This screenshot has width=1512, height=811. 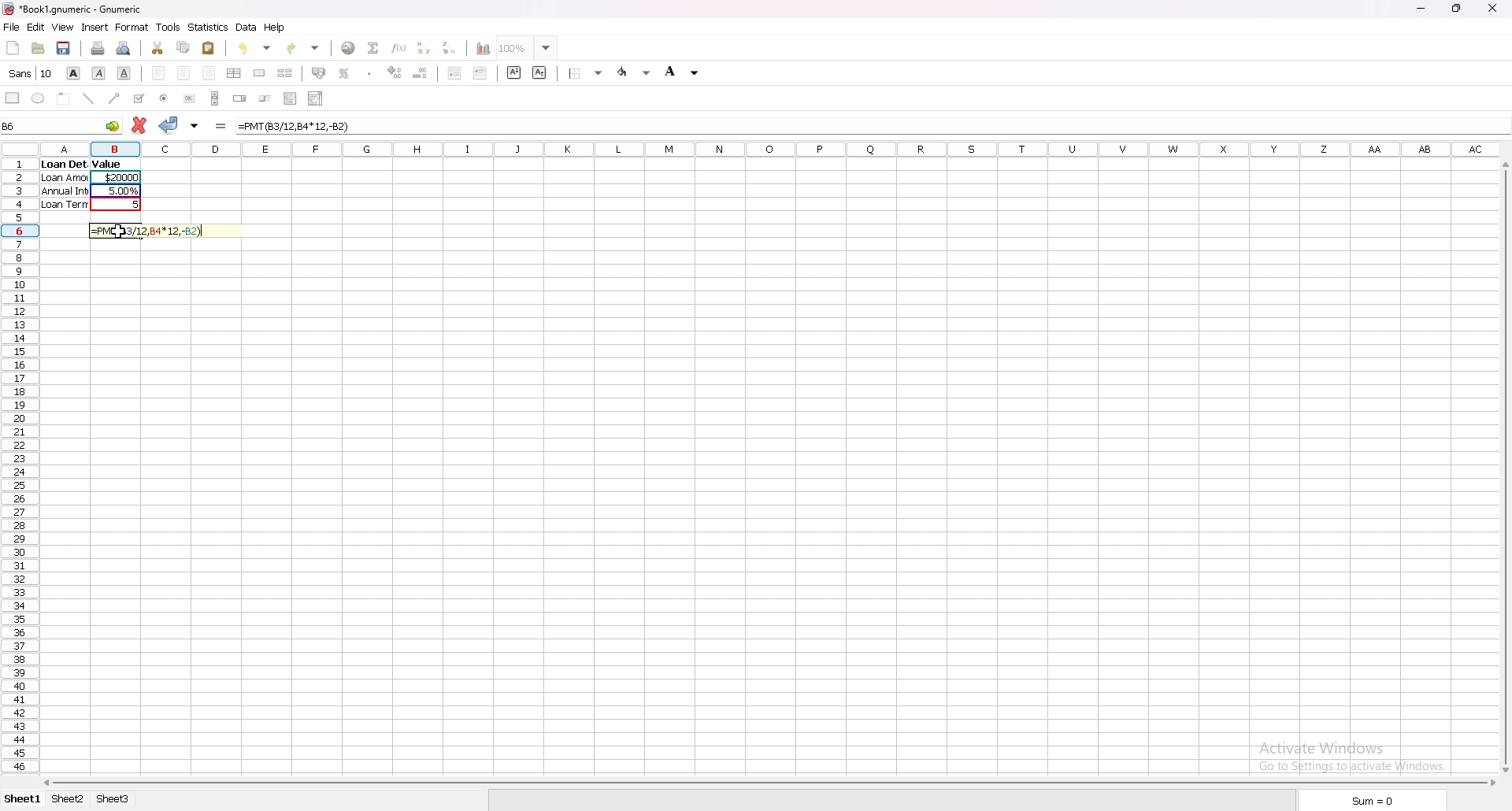 What do you see at coordinates (114, 800) in the screenshot?
I see `sheet 3` at bounding box center [114, 800].